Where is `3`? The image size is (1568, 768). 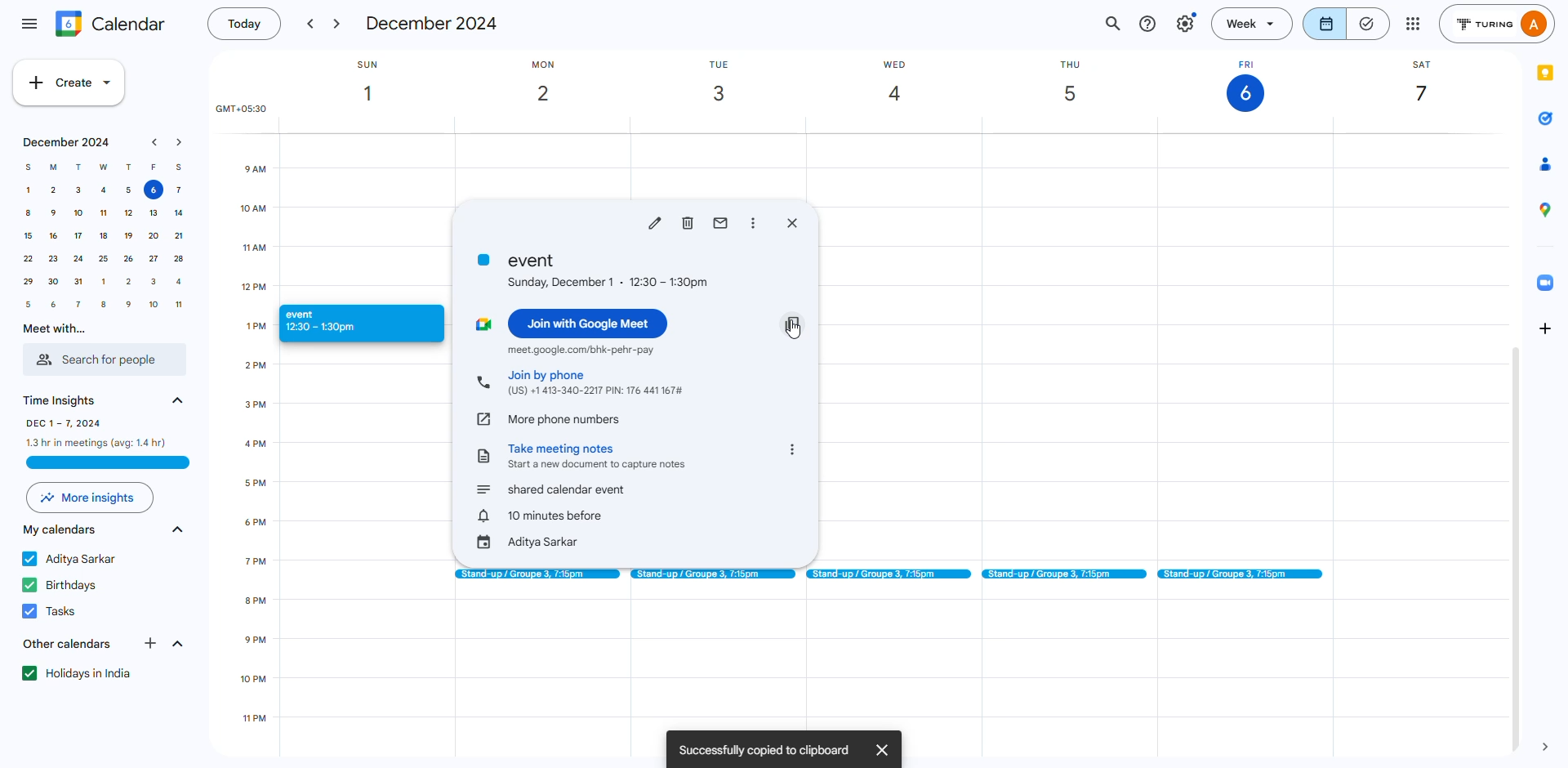
3 is located at coordinates (78, 191).